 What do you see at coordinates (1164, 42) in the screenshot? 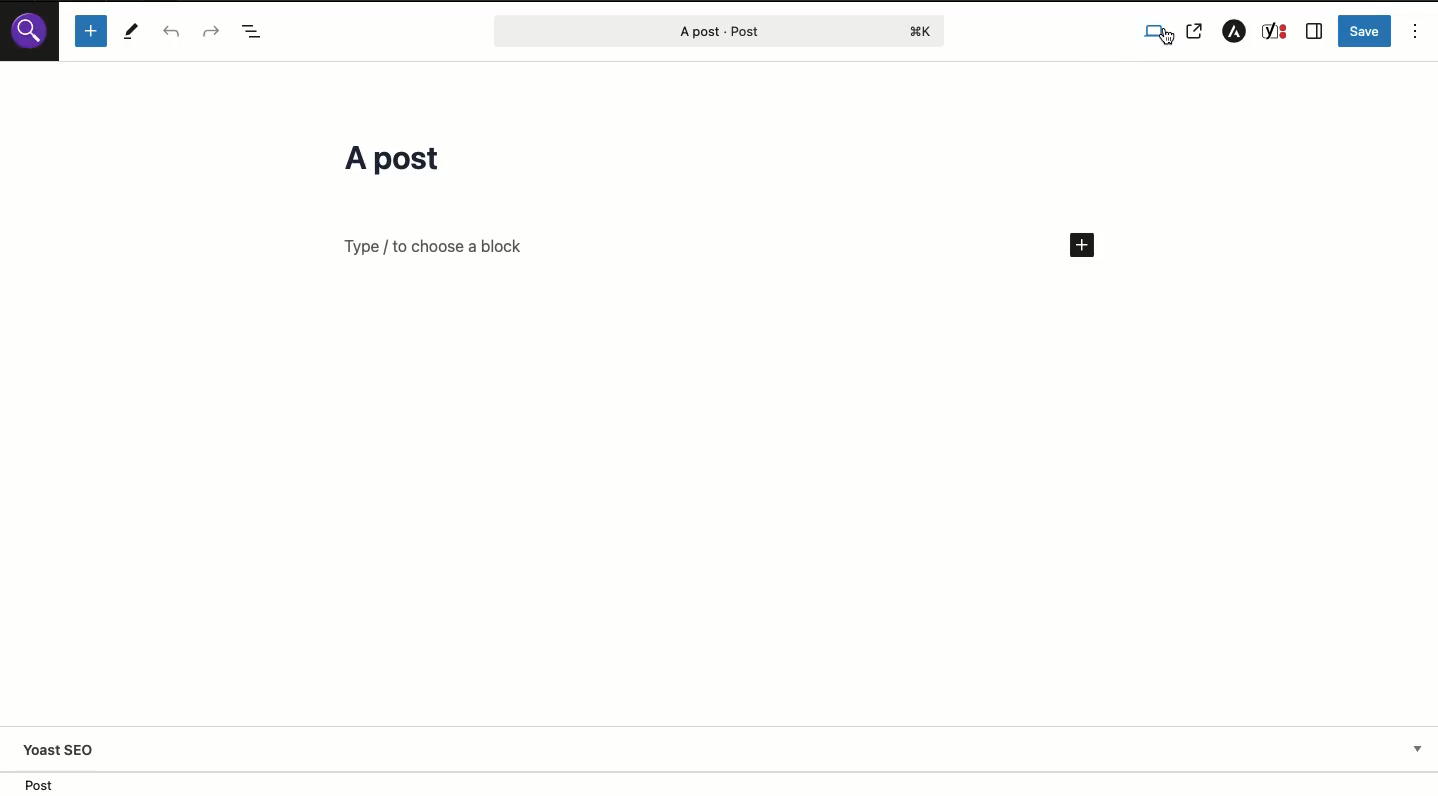
I see `cursor` at bounding box center [1164, 42].